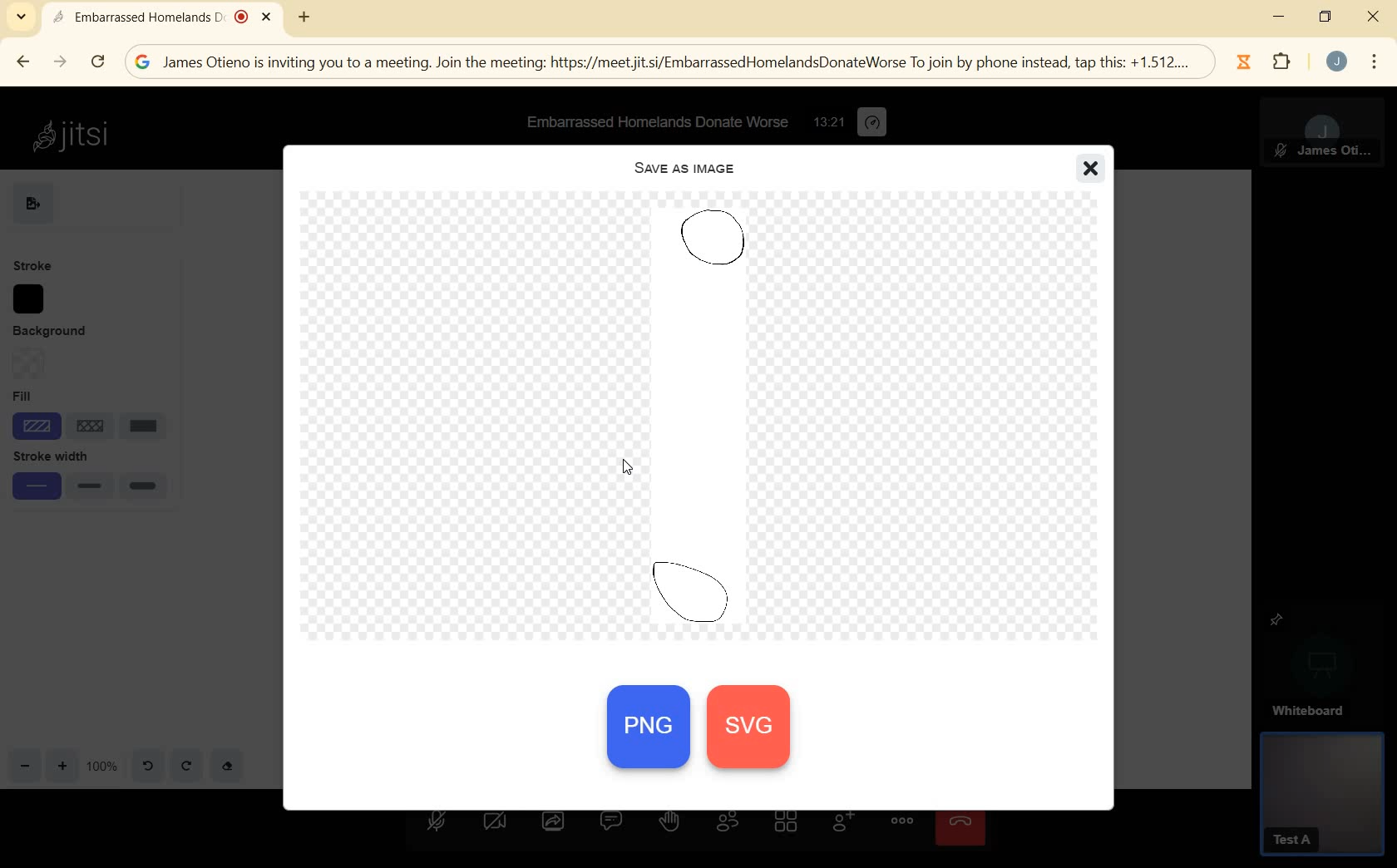  Describe the element at coordinates (146, 426) in the screenshot. I see `solid` at that location.